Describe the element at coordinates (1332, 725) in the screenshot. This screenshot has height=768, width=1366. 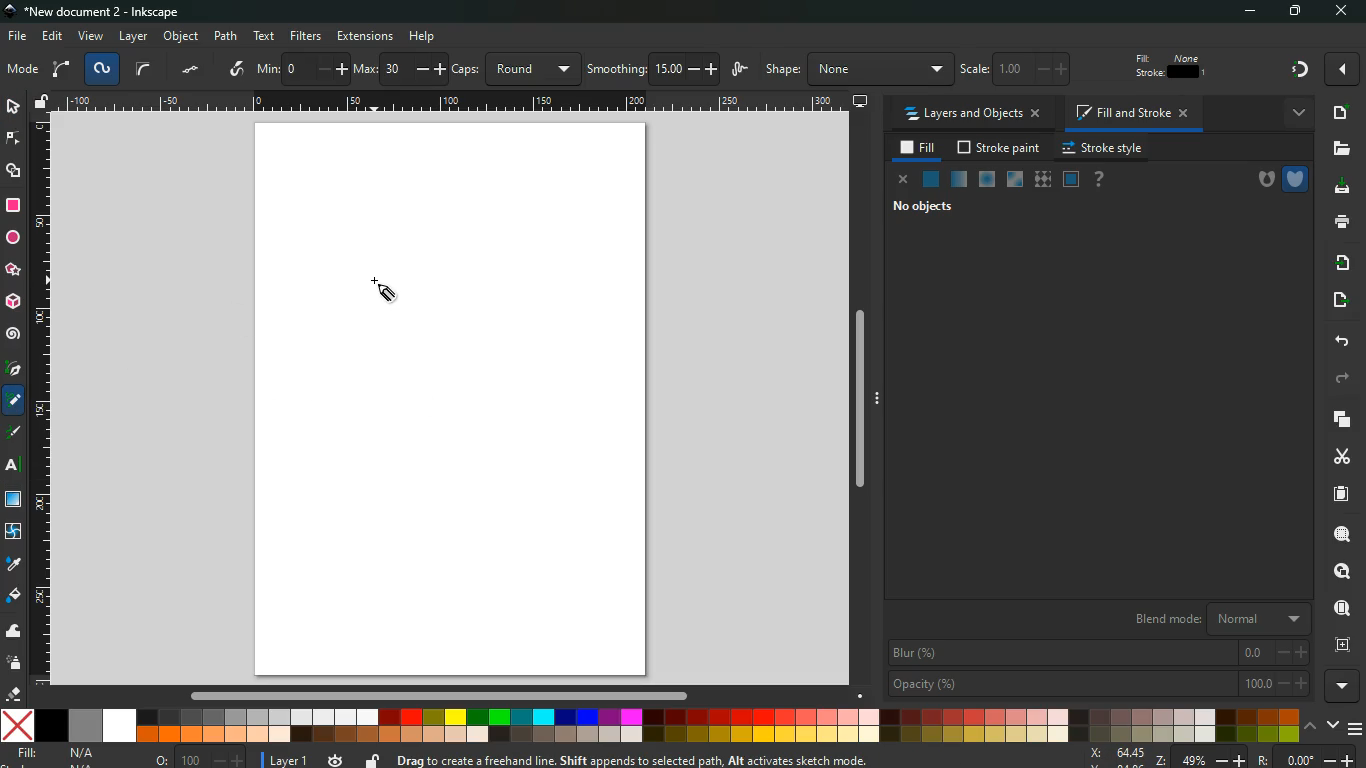
I see `down` at that location.